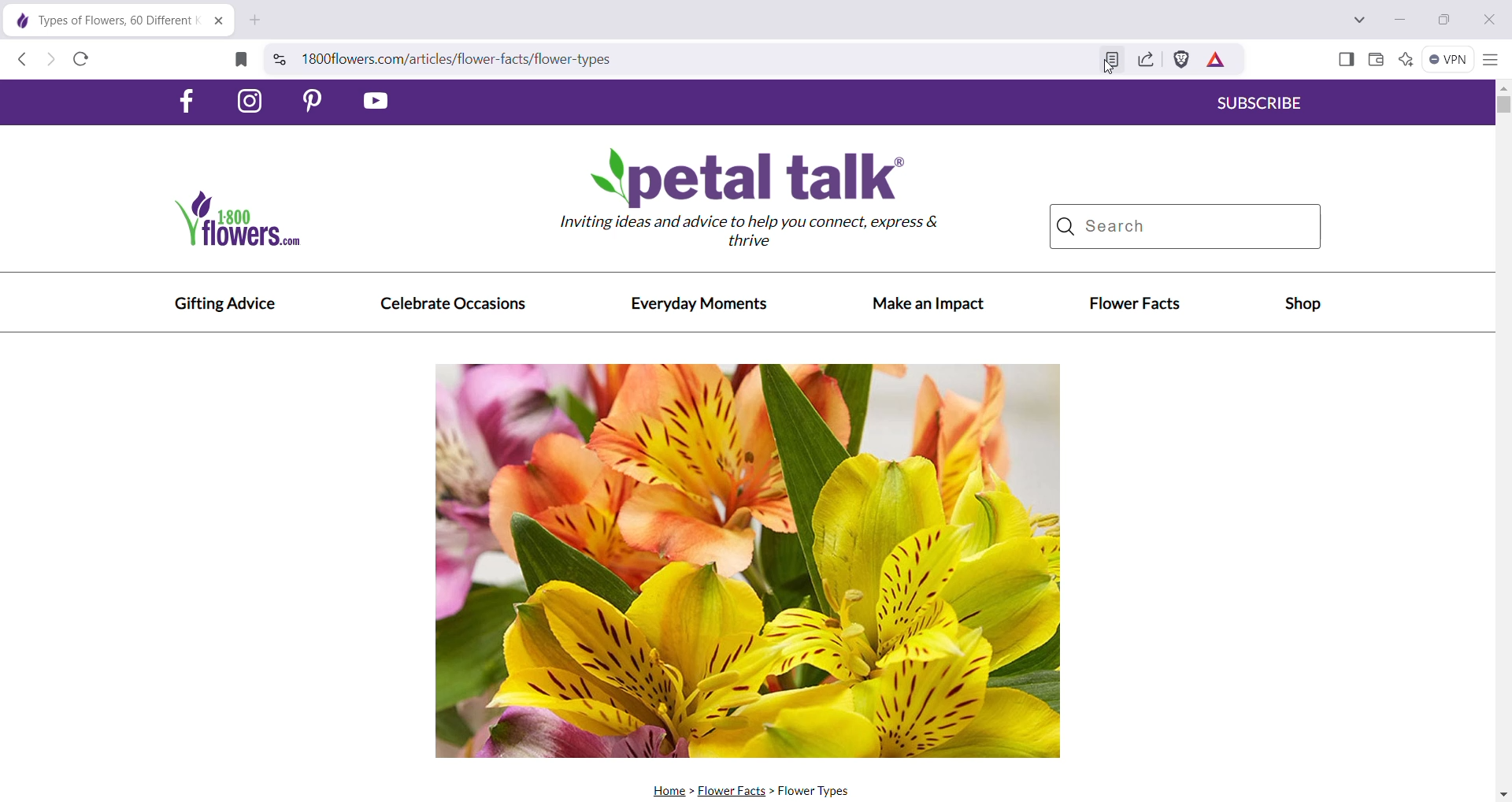 This screenshot has height=802, width=1512. I want to click on Celebrate Occasions, so click(453, 305).